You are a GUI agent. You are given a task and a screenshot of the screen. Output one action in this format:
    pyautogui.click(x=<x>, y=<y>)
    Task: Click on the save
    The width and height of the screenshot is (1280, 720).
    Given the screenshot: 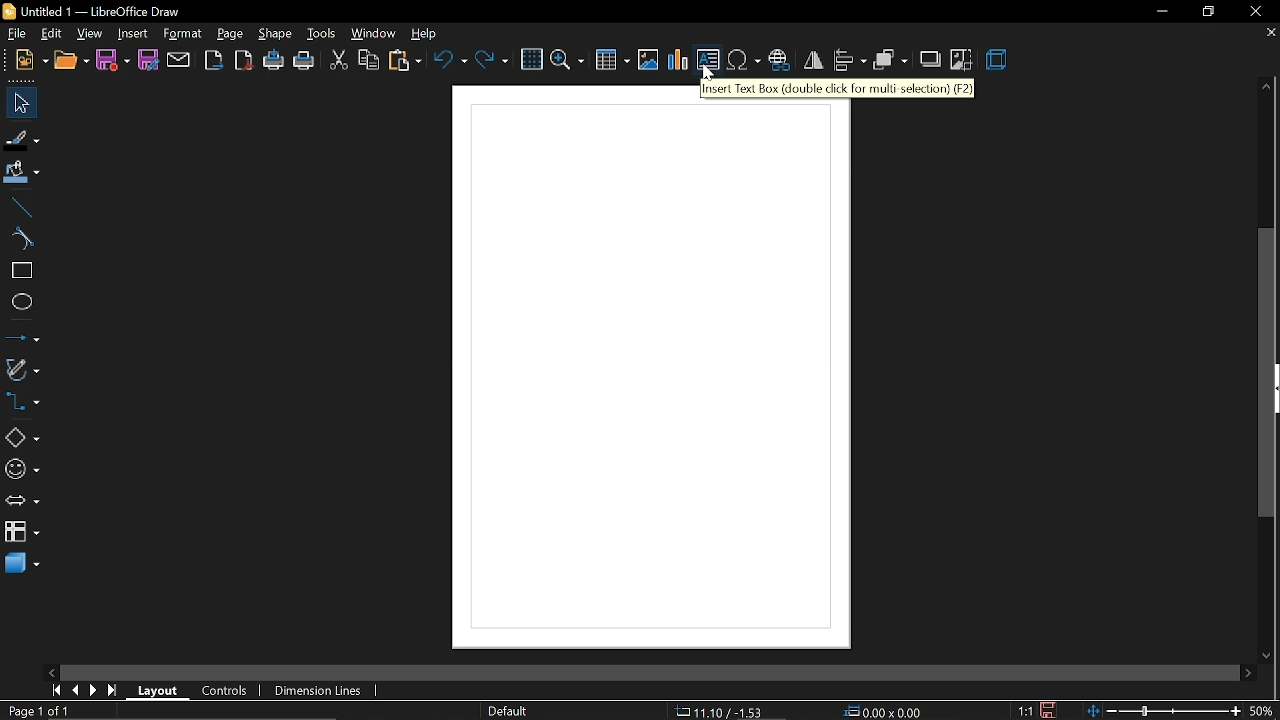 What is the action you would take?
    pyautogui.click(x=113, y=59)
    